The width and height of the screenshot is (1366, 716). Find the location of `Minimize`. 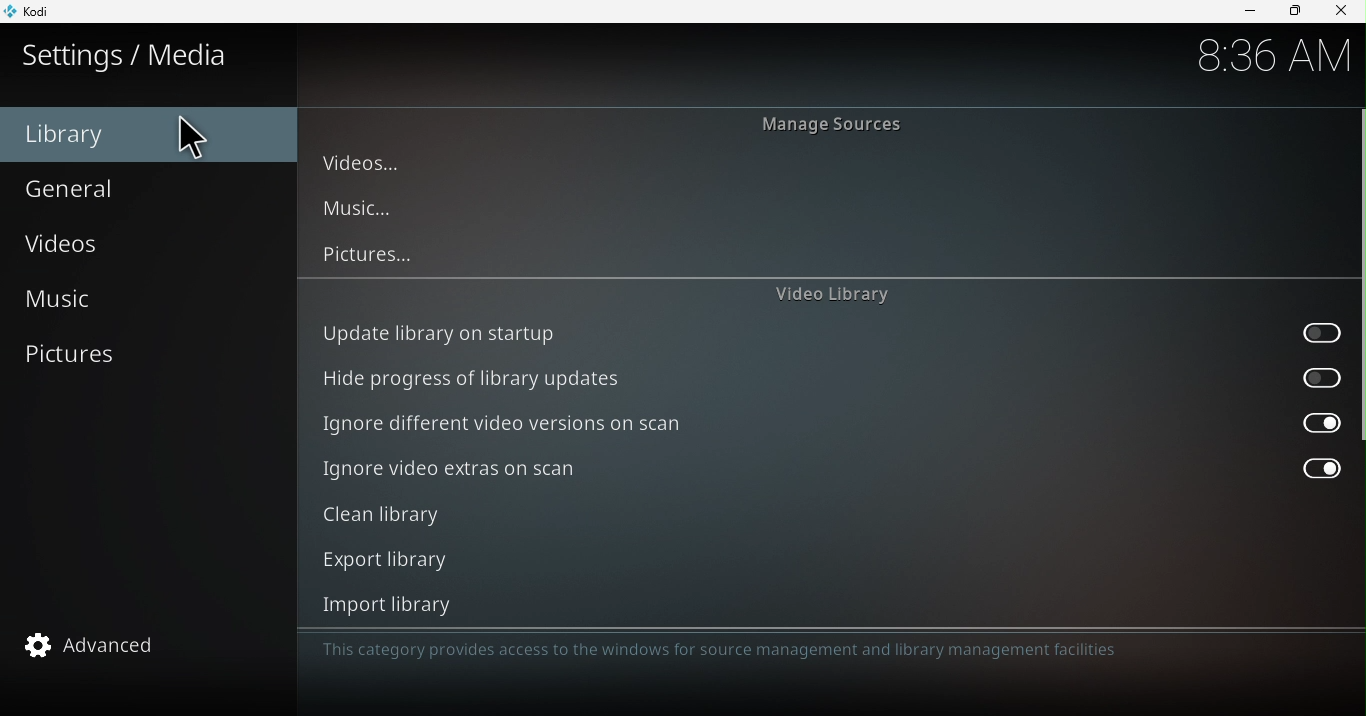

Minimize is located at coordinates (1242, 12).